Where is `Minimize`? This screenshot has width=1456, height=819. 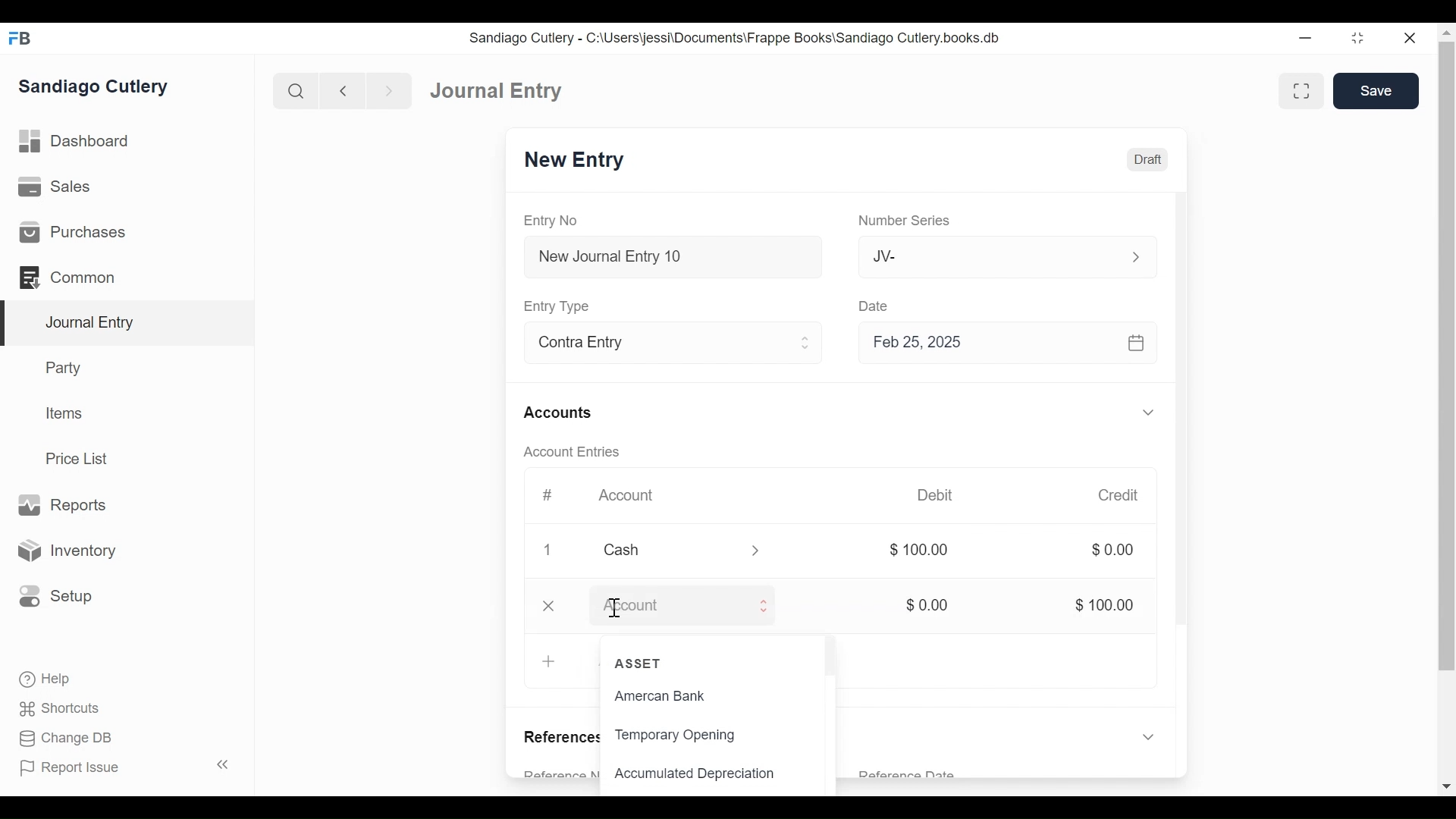
Minimize is located at coordinates (1304, 39).